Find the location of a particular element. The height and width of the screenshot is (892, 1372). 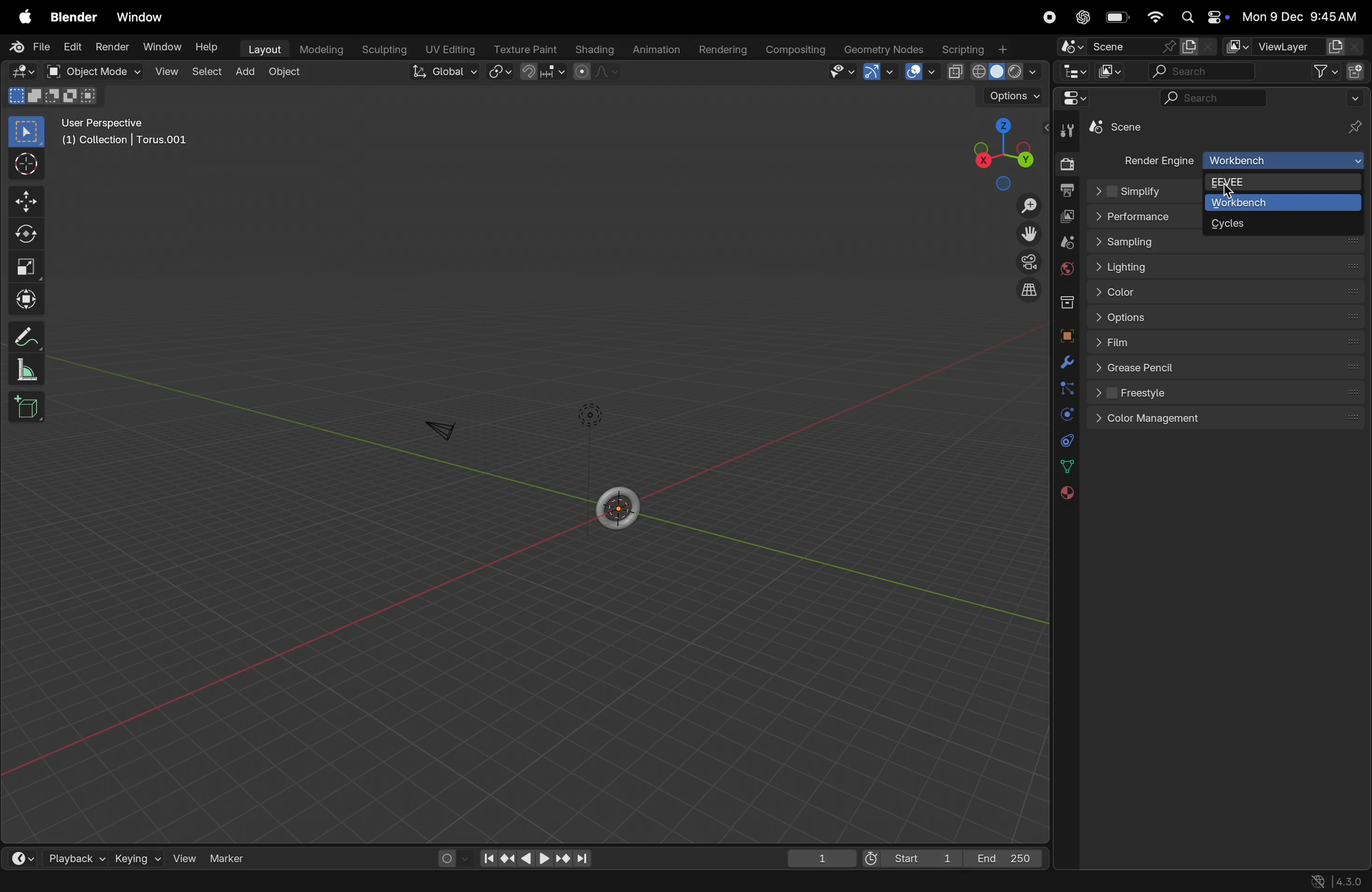

cursor is located at coordinates (28, 165).